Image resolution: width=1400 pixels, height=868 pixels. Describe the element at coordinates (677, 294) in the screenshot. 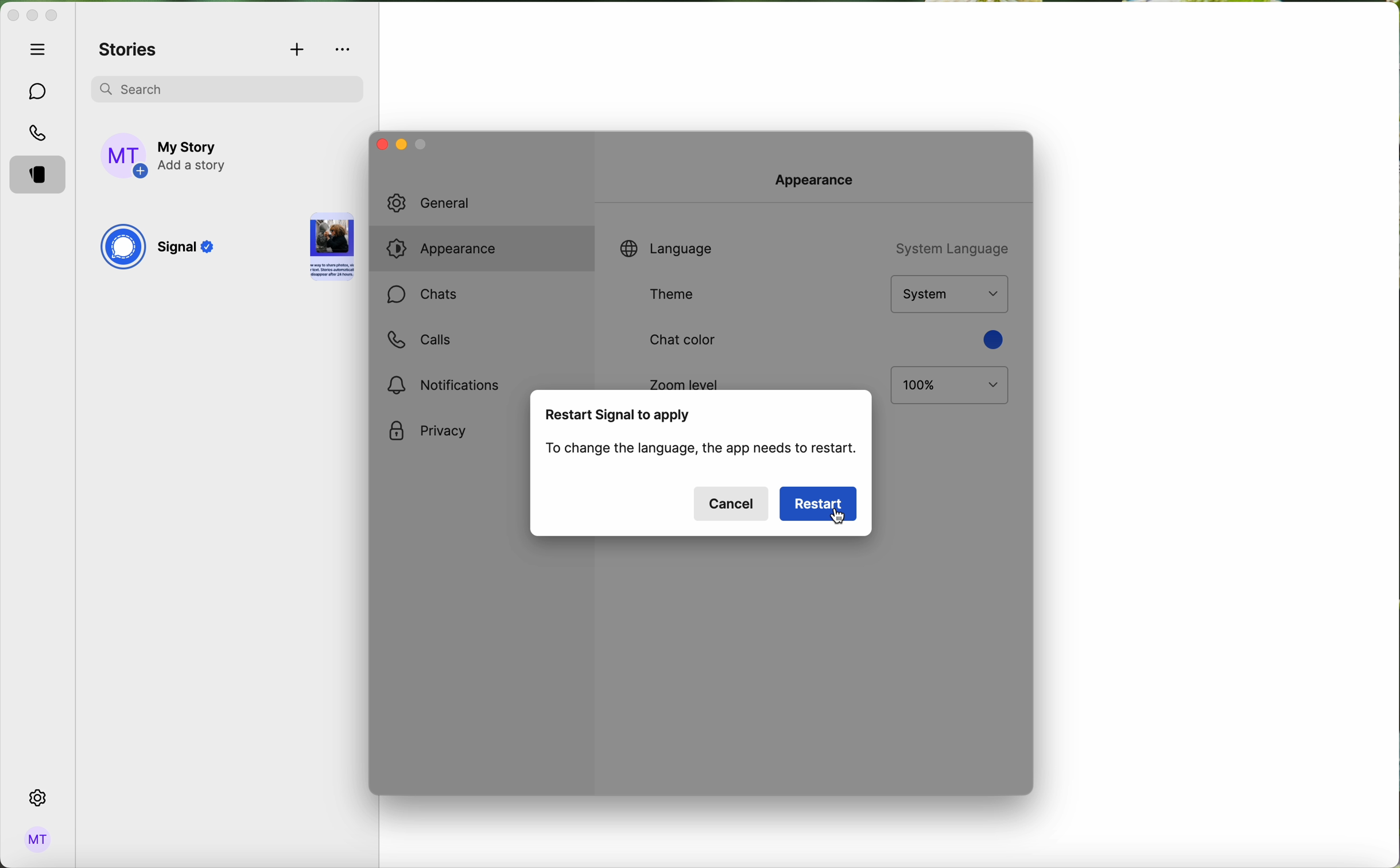

I see `Theme` at that location.